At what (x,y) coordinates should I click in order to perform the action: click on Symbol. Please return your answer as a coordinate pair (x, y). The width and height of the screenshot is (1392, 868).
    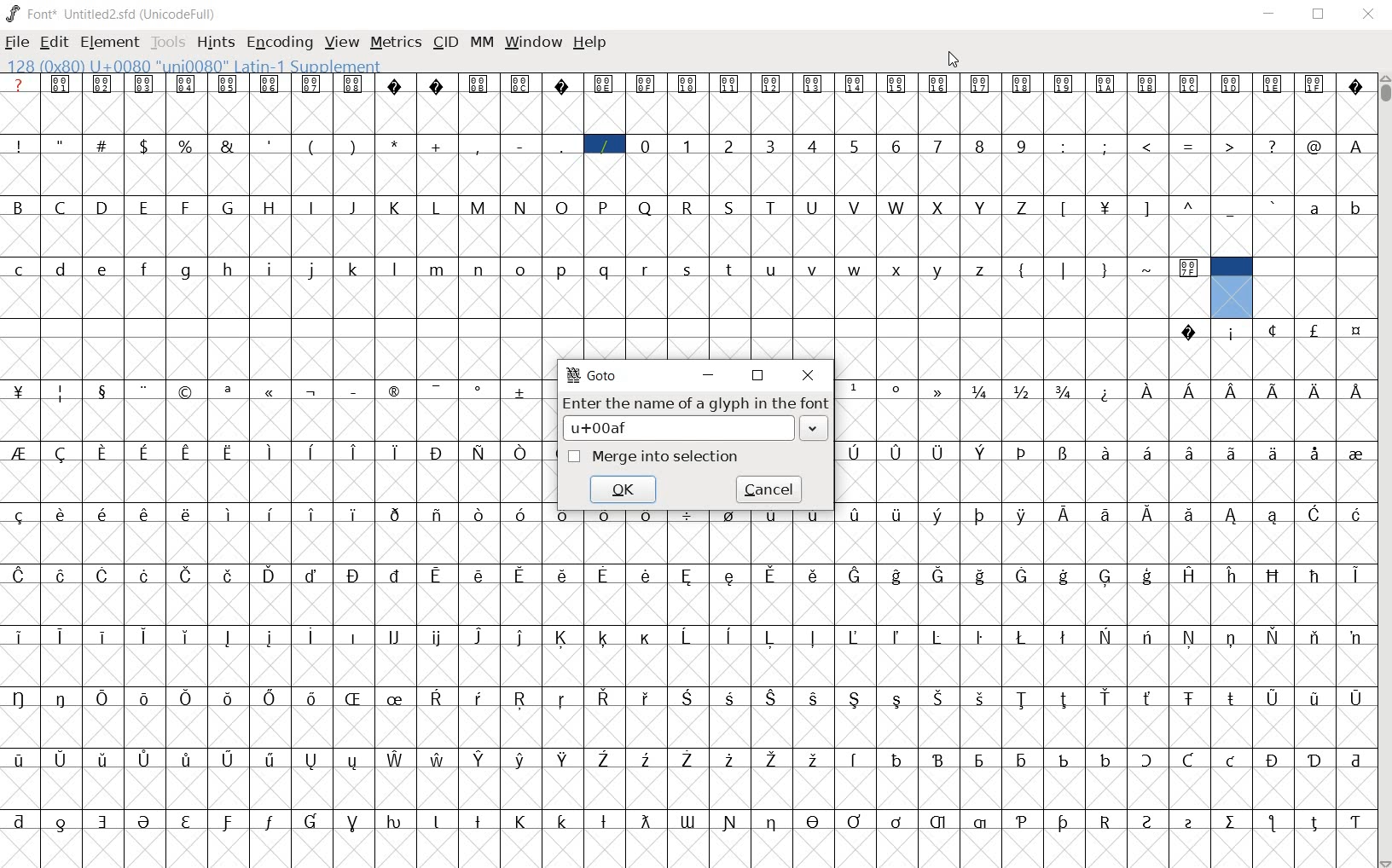
    Looking at the image, I should click on (644, 636).